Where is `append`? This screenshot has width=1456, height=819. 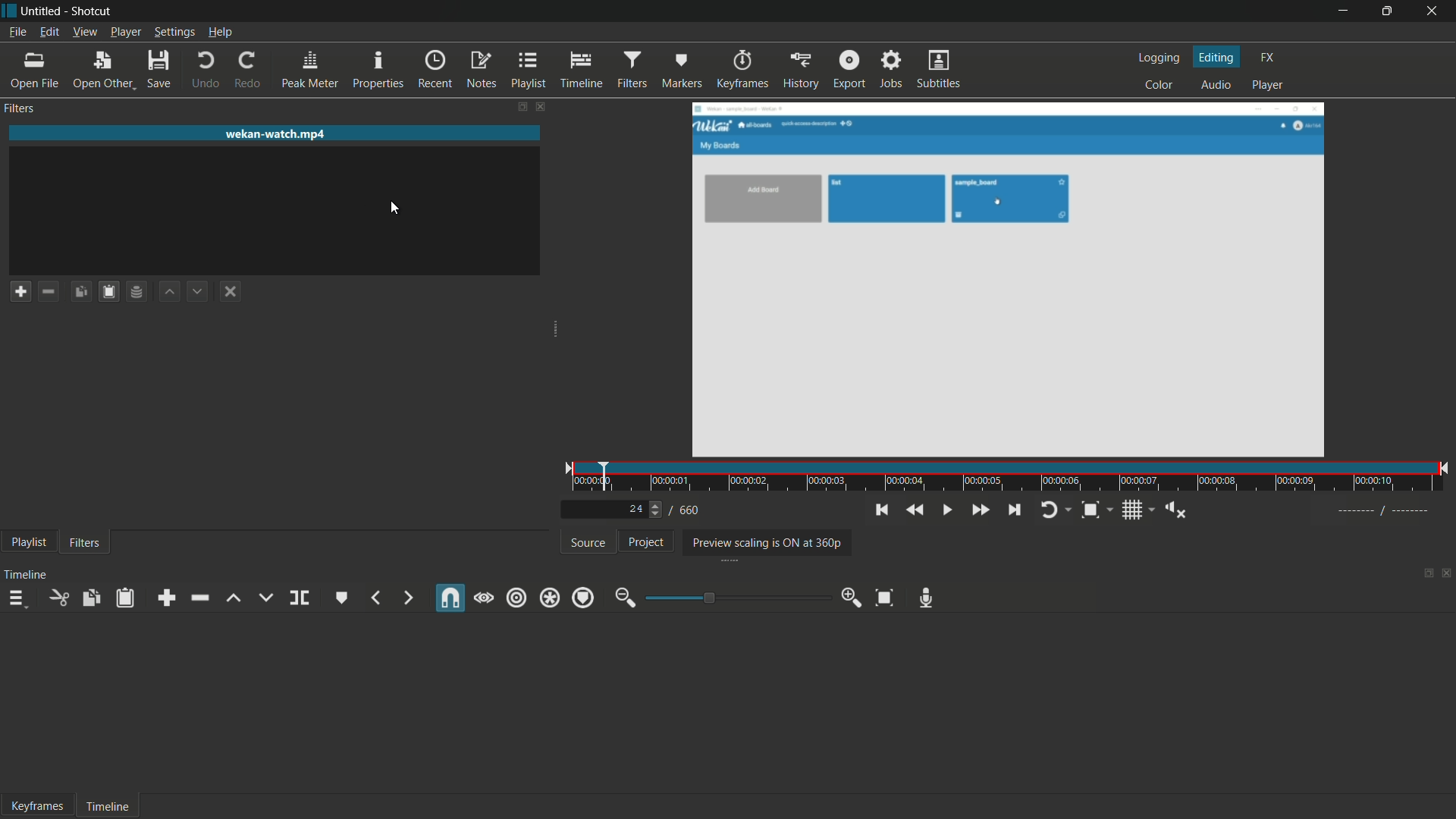
append is located at coordinates (166, 598).